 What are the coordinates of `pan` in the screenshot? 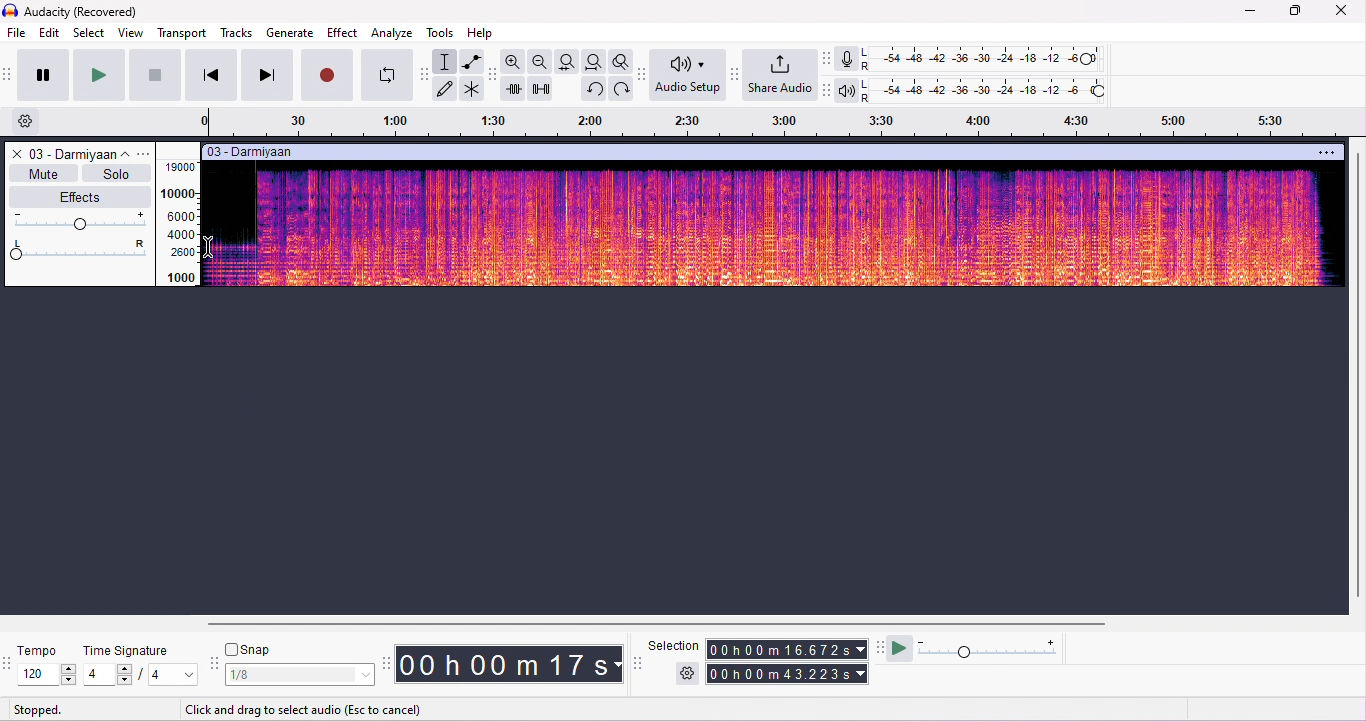 It's located at (79, 251).